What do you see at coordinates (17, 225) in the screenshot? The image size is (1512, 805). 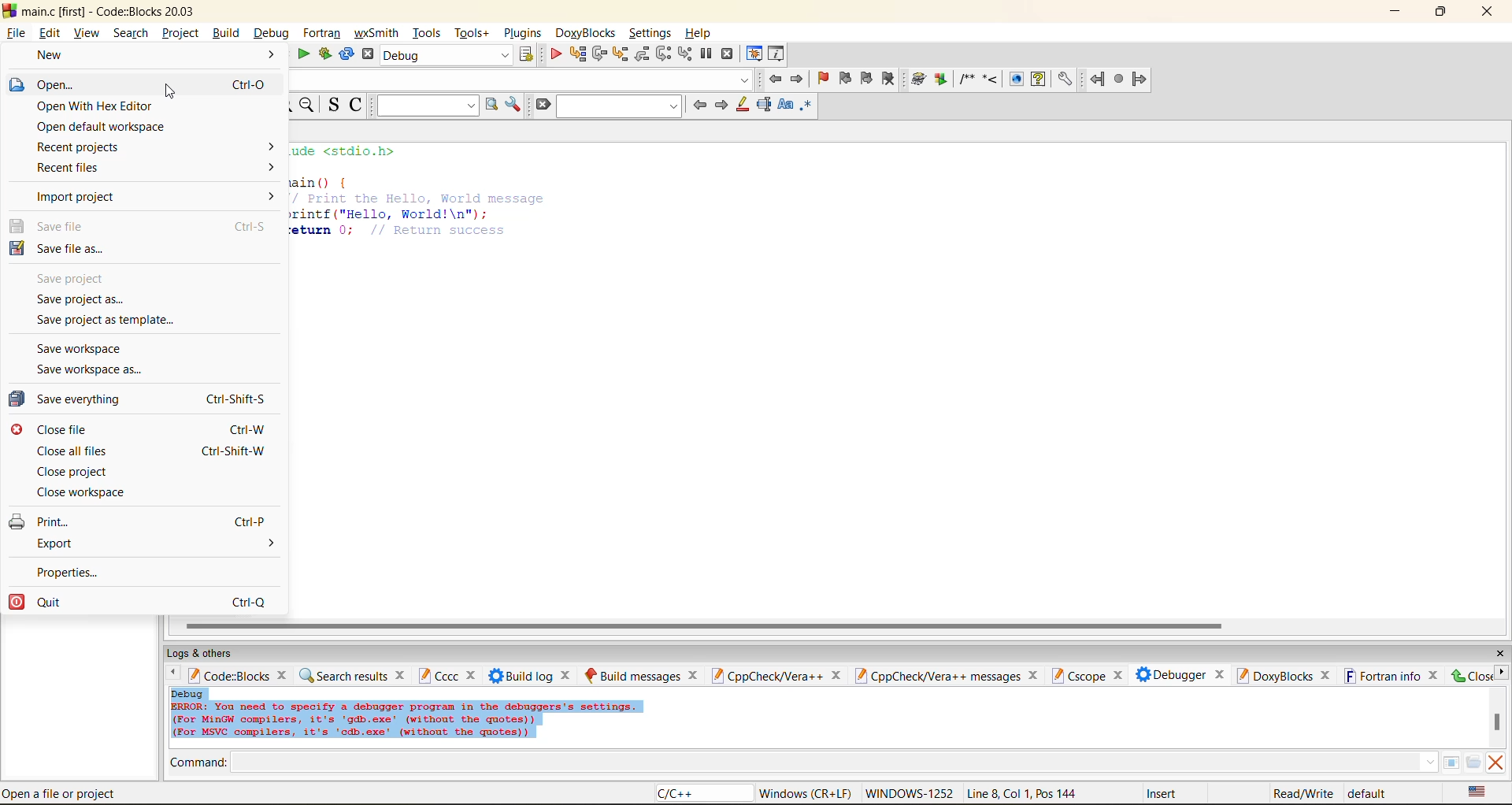 I see `save icon` at bounding box center [17, 225].